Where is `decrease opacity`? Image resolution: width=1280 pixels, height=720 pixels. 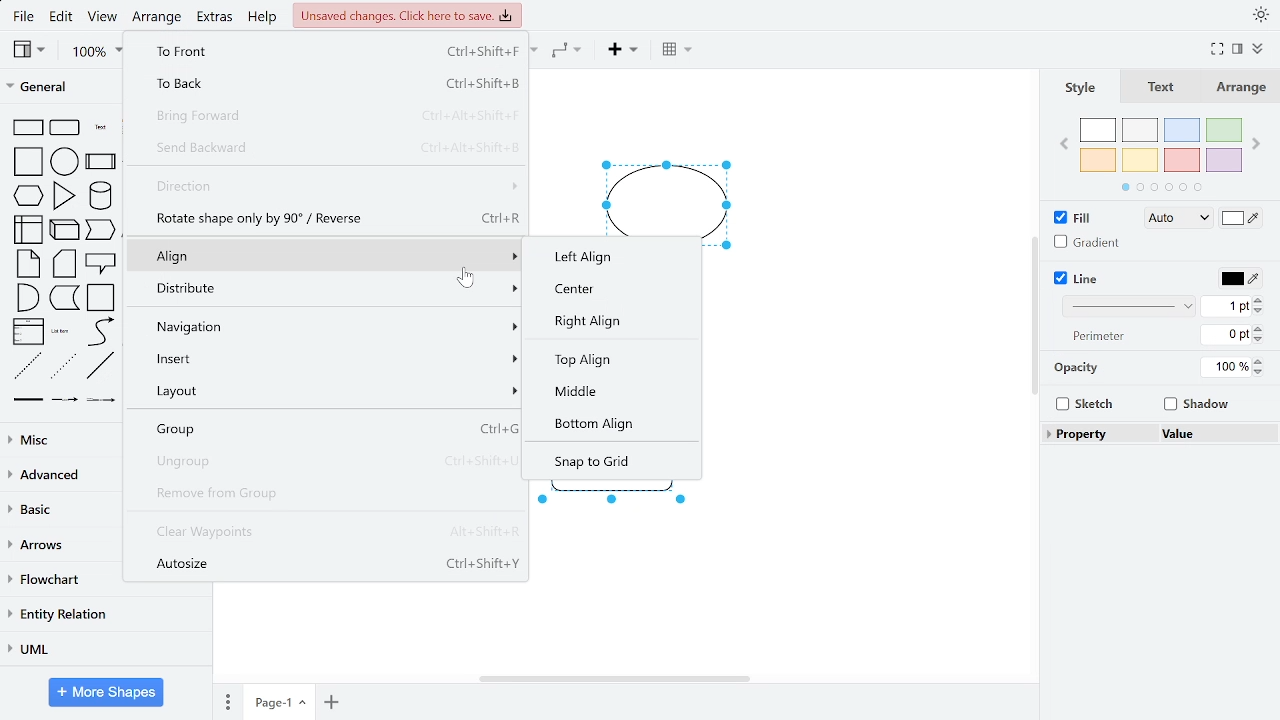
decrease opacity is located at coordinates (1259, 372).